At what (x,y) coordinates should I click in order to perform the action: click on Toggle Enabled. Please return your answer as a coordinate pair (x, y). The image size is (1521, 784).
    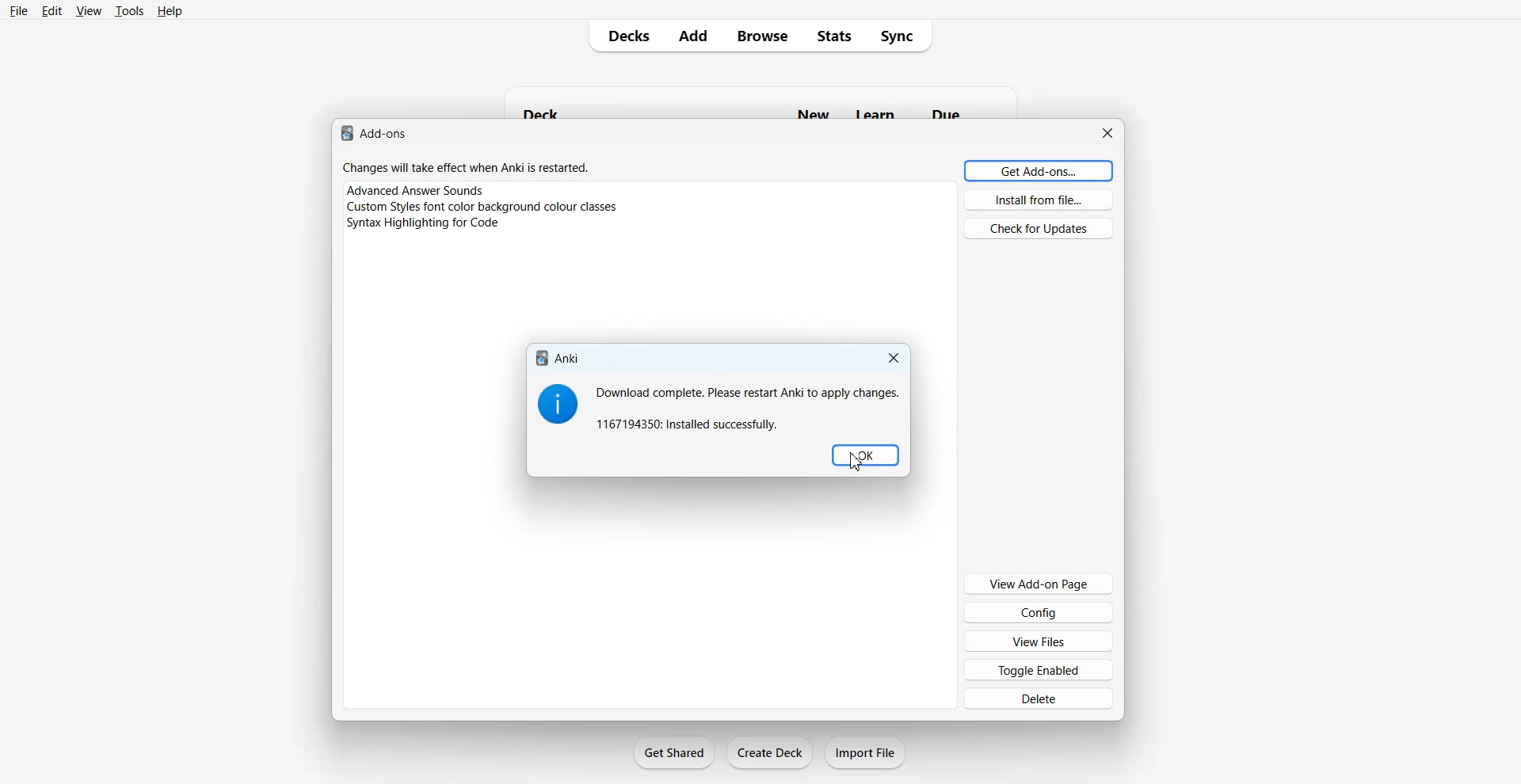
    Looking at the image, I should click on (1040, 669).